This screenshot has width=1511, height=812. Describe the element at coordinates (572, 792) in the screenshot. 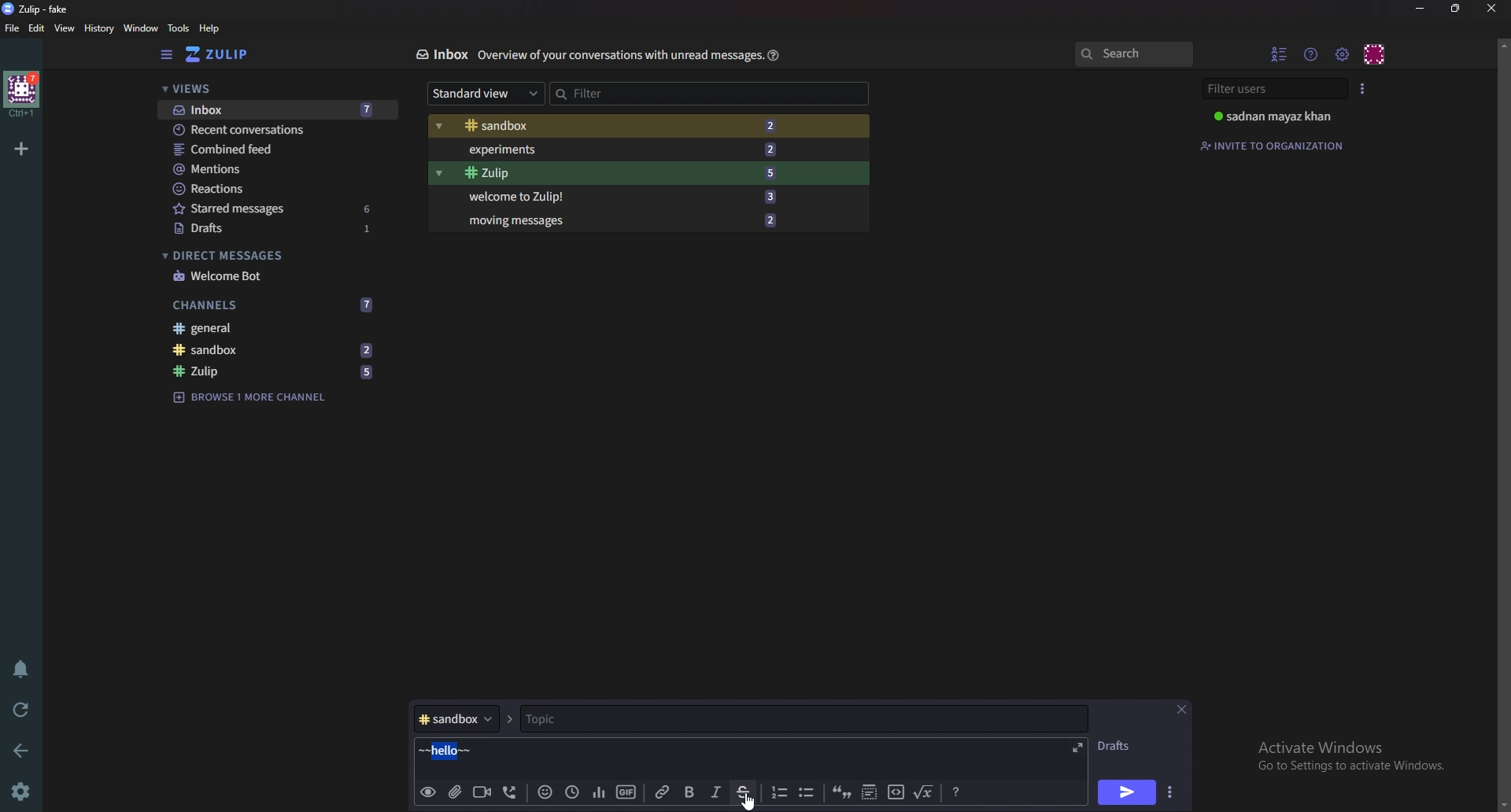

I see `Global time` at that location.